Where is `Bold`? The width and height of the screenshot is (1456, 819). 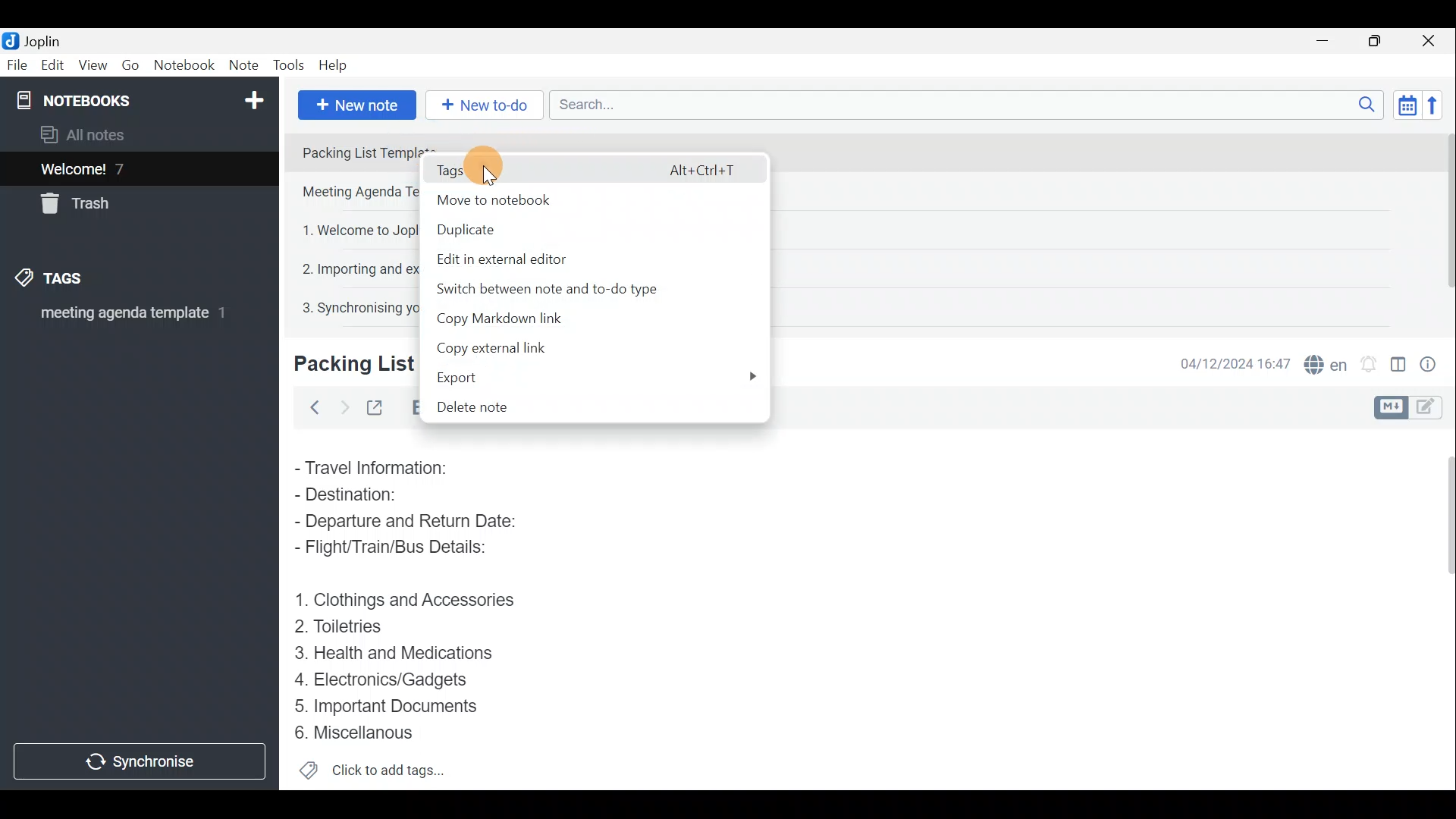
Bold is located at coordinates (410, 406).